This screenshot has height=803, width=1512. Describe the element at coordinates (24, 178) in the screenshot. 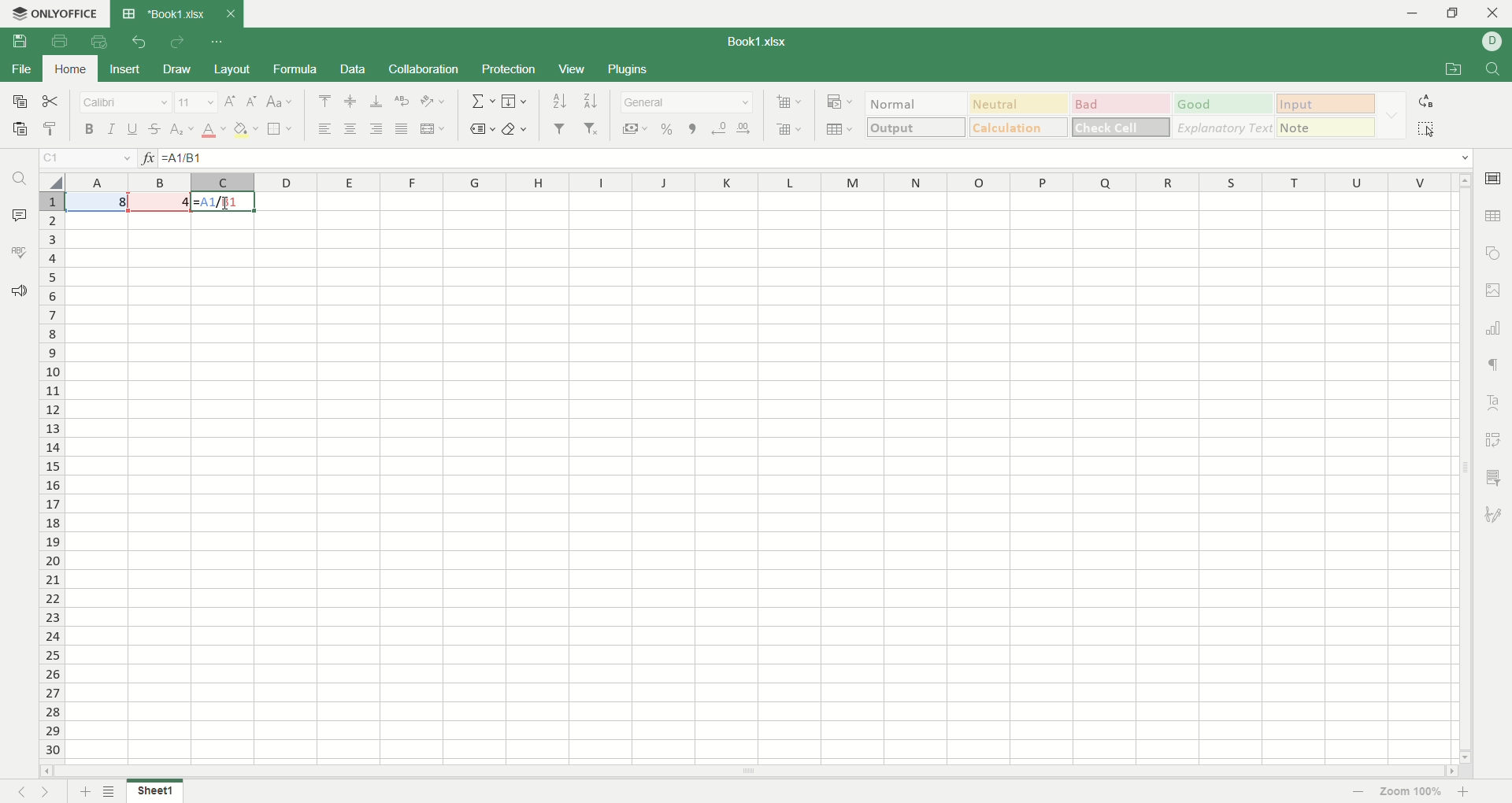

I see `find` at that location.